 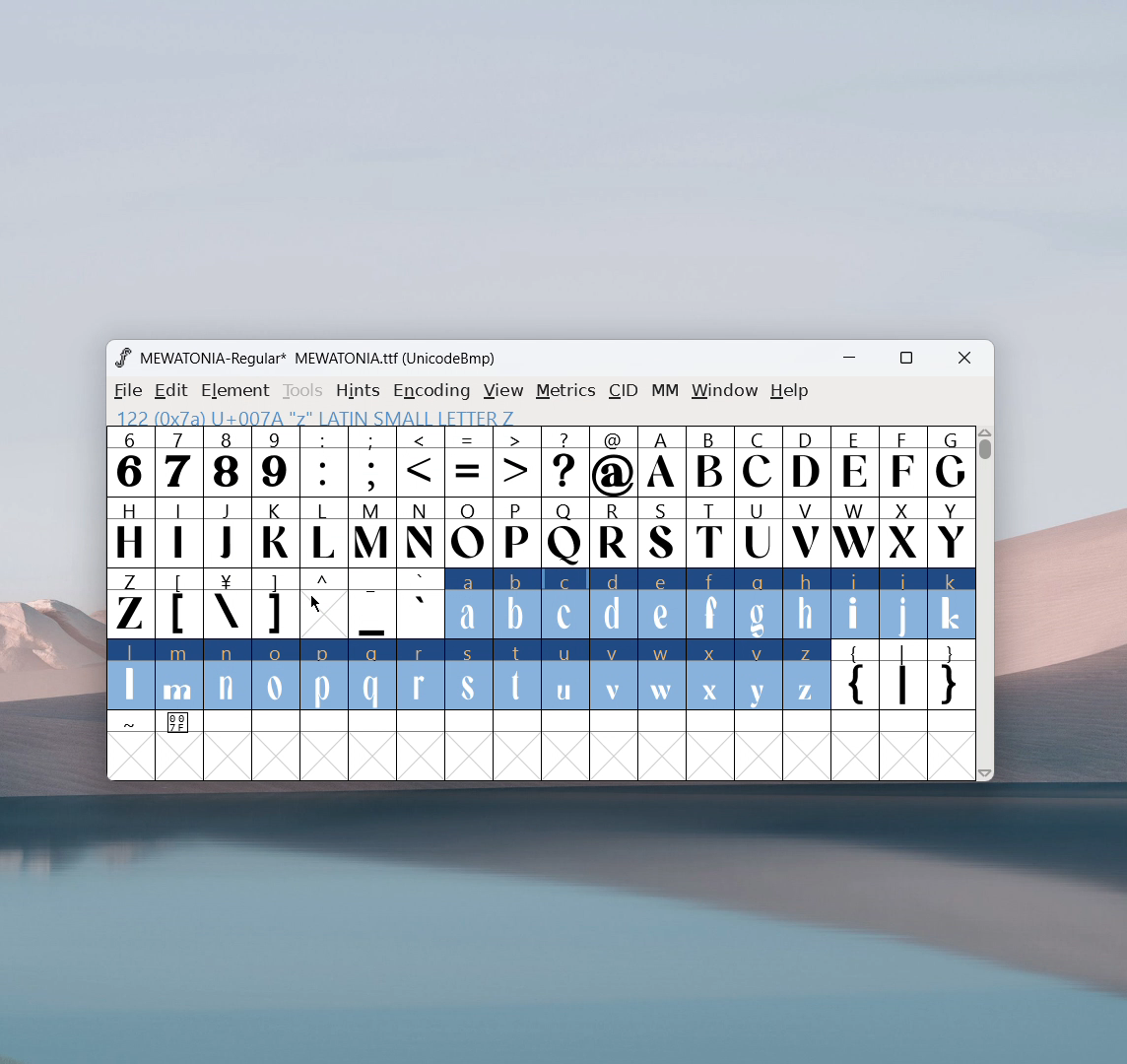 What do you see at coordinates (315, 604) in the screenshot?
I see `cursor` at bounding box center [315, 604].